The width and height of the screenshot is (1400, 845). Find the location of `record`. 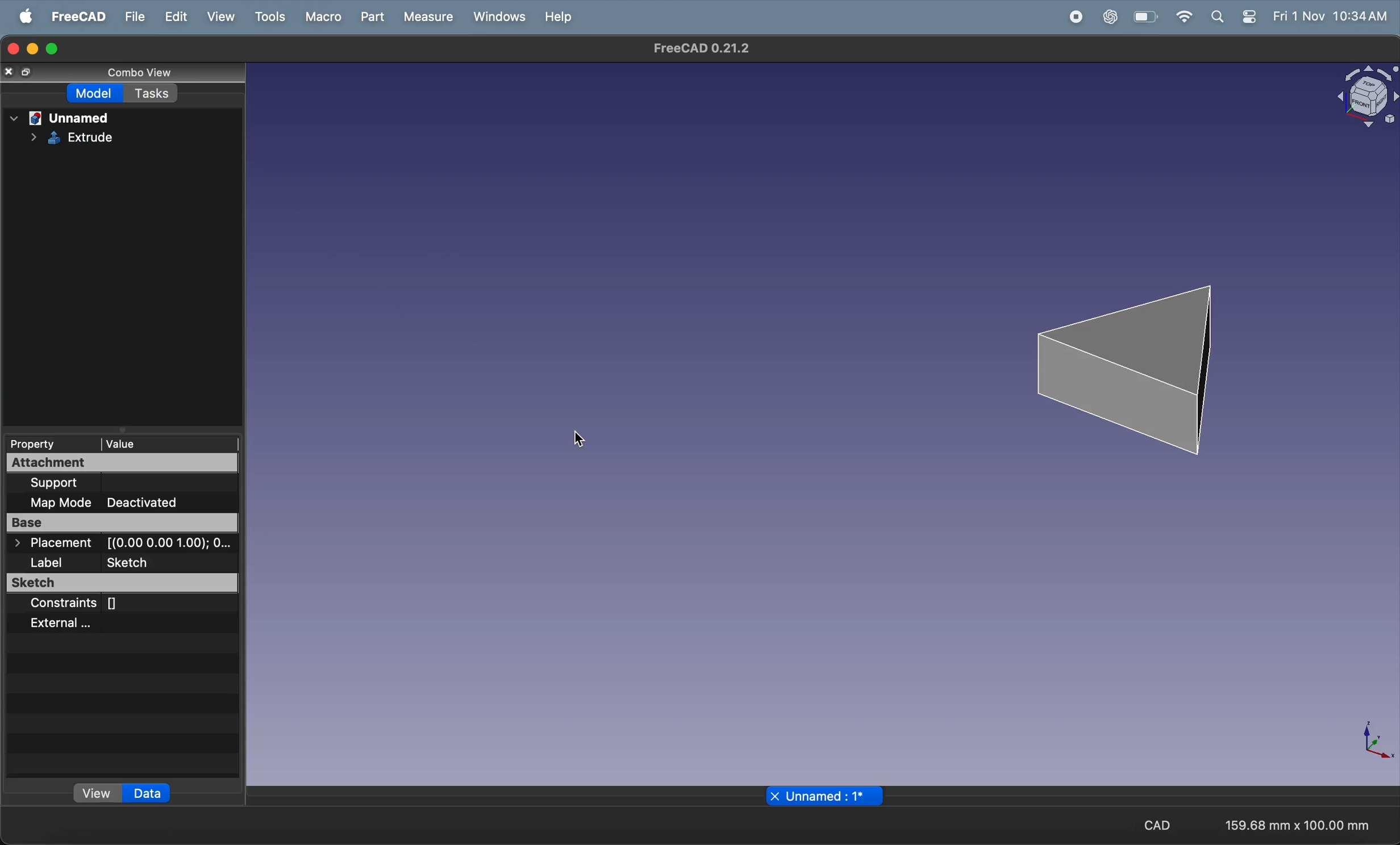

record is located at coordinates (1077, 16).